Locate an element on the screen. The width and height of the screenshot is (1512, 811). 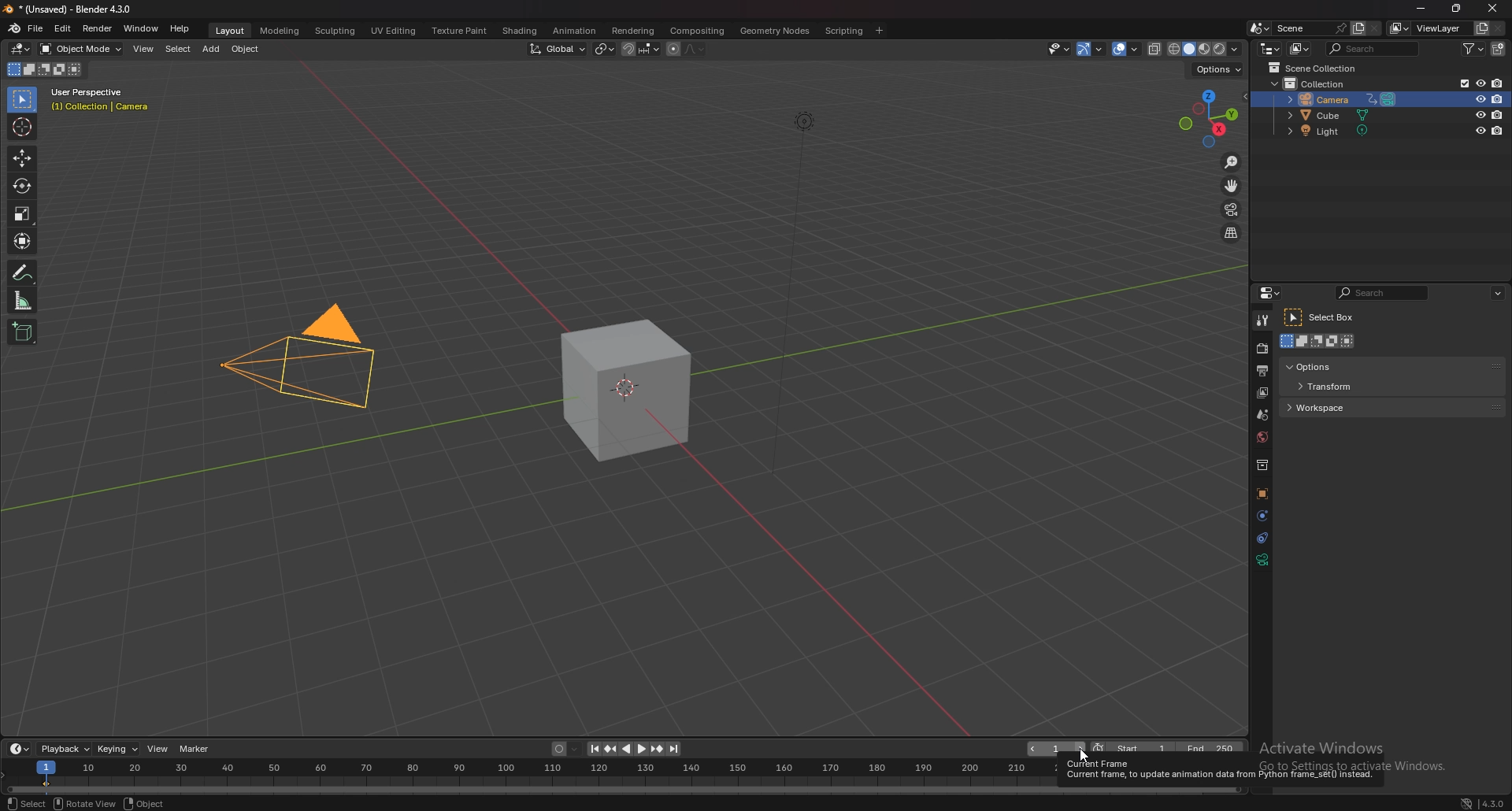
view is located at coordinates (157, 749).